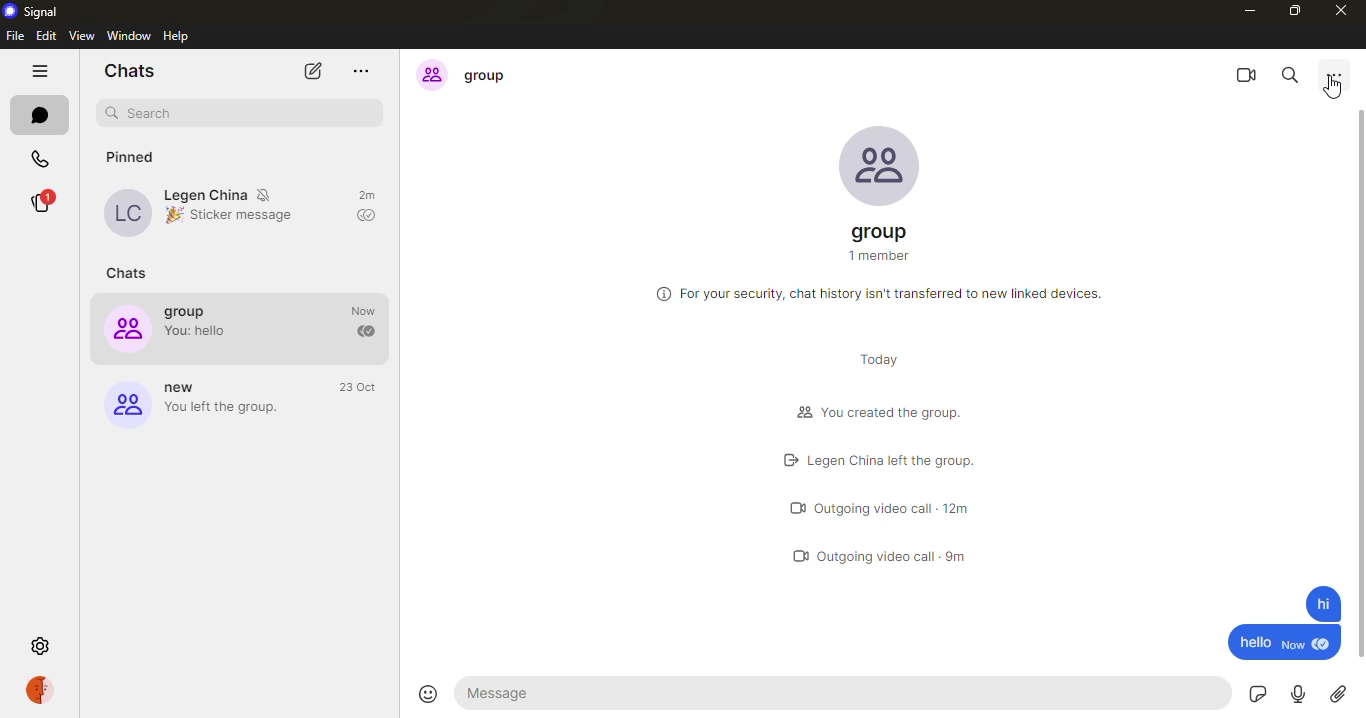 This screenshot has width=1366, height=718. Describe the element at coordinates (177, 36) in the screenshot. I see `help` at that location.